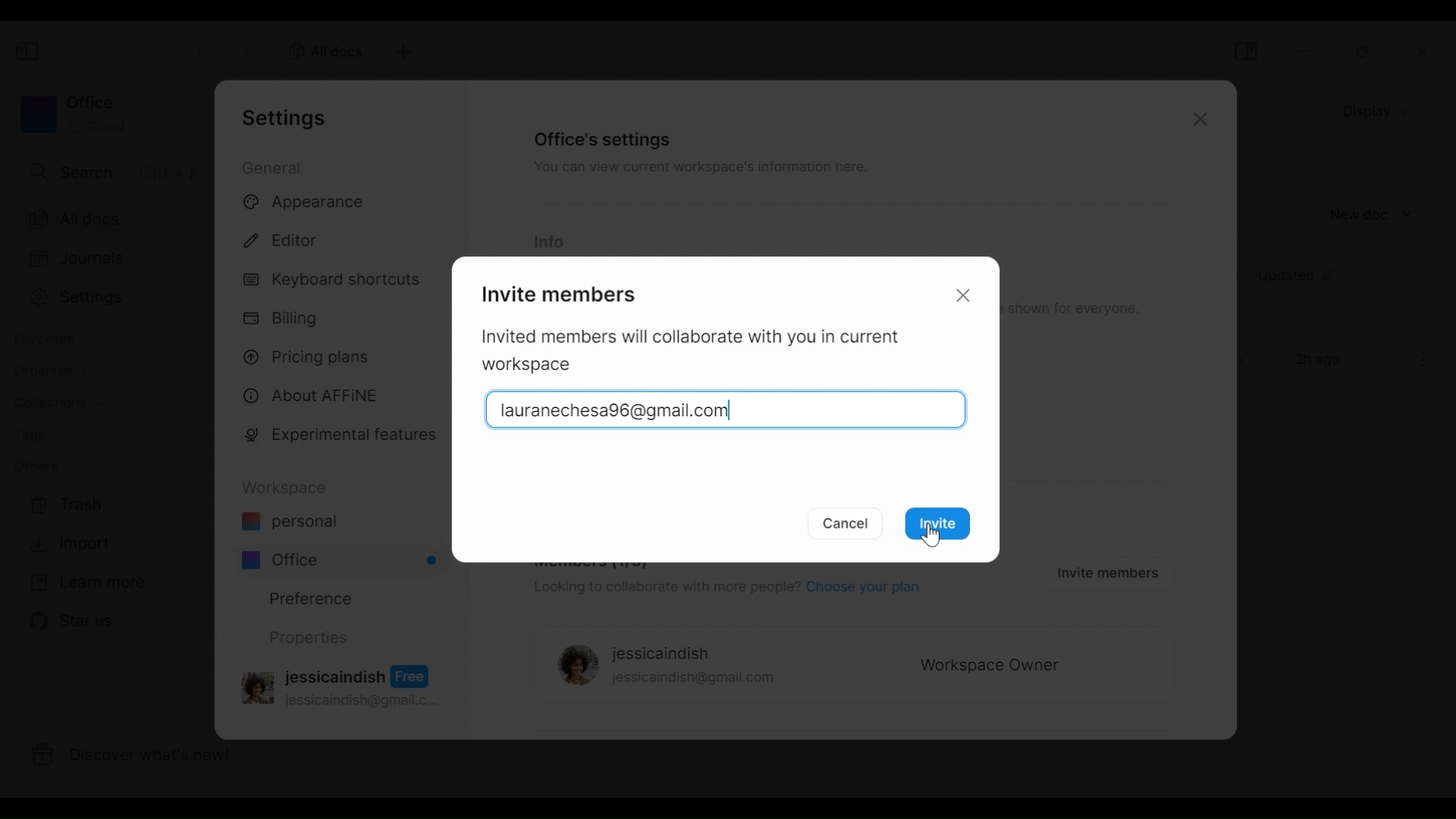 Image resolution: width=1456 pixels, height=819 pixels. What do you see at coordinates (275, 167) in the screenshot?
I see `General` at bounding box center [275, 167].